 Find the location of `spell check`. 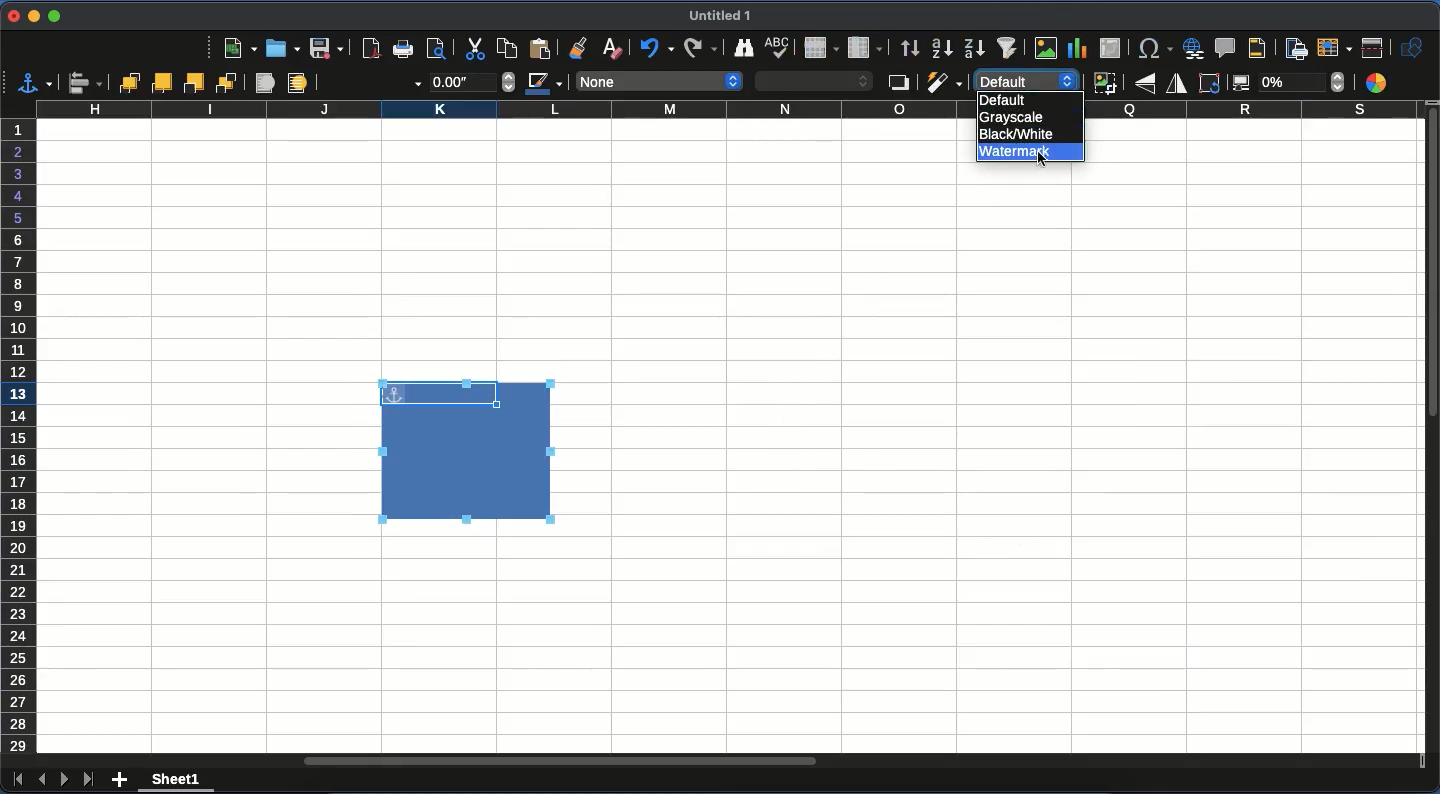

spell check is located at coordinates (780, 48).